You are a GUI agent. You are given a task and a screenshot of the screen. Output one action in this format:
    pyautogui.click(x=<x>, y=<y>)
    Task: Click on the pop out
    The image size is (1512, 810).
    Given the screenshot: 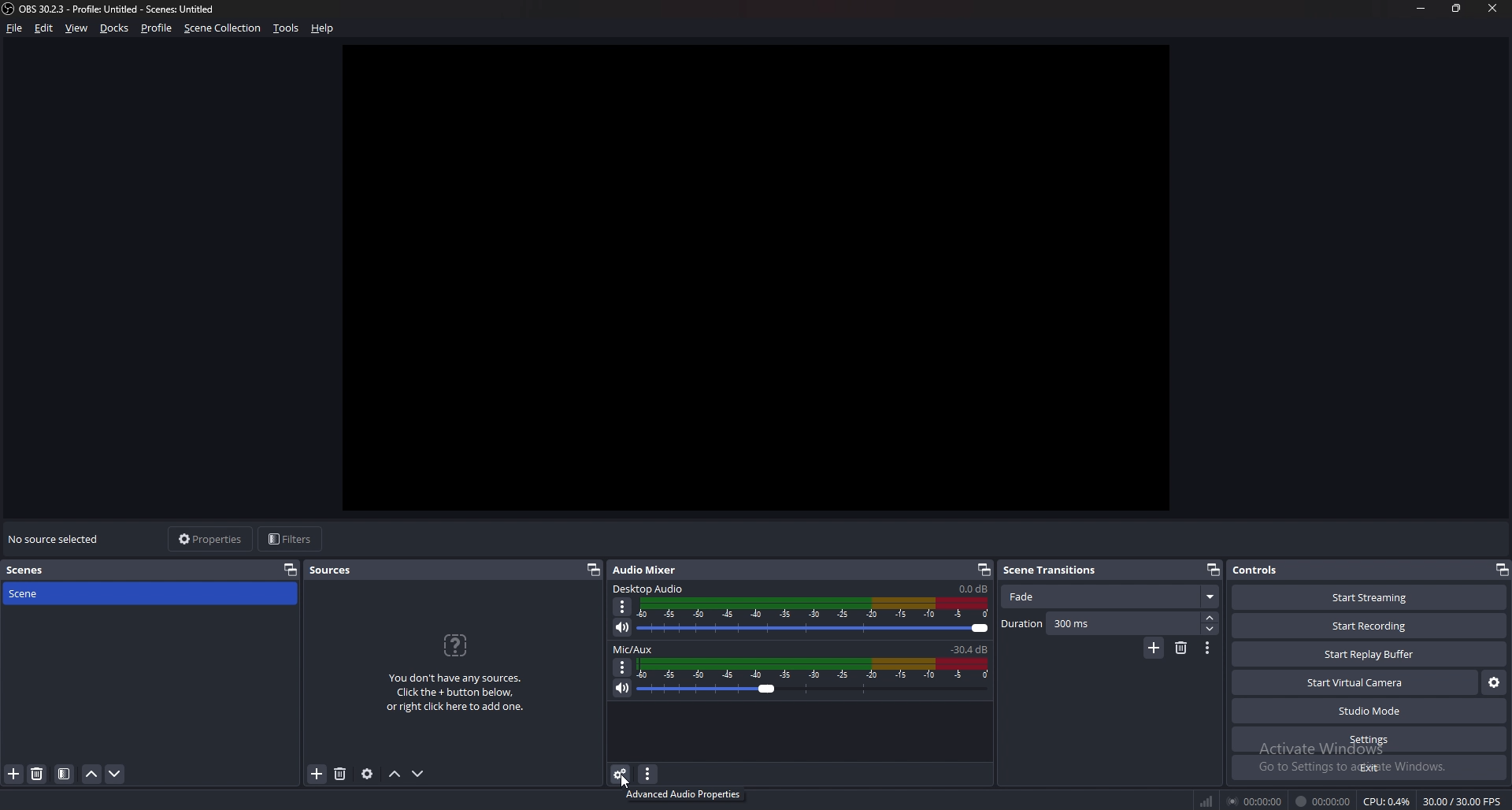 What is the action you would take?
    pyautogui.click(x=595, y=570)
    